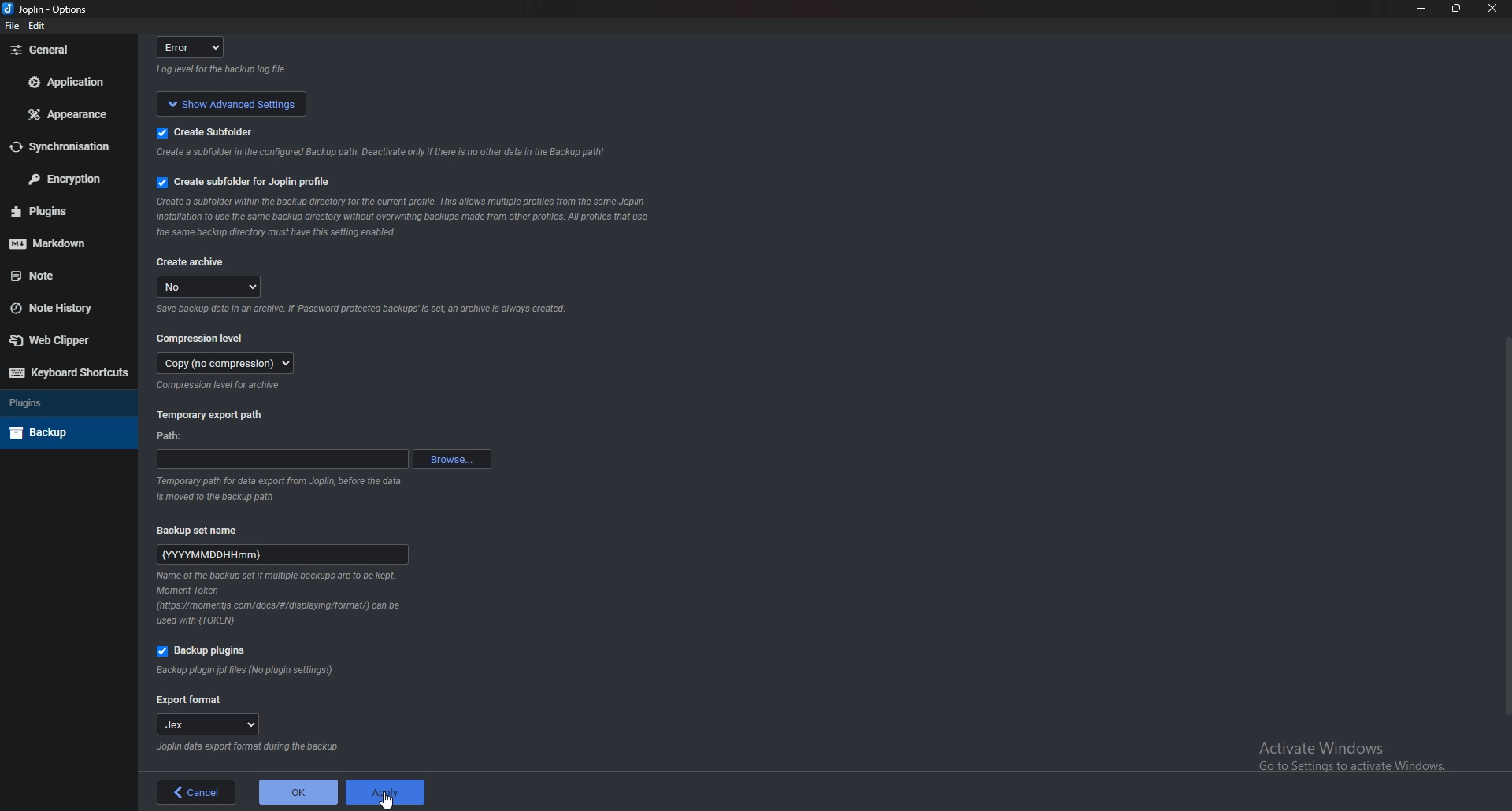  Describe the element at coordinates (190, 701) in the screenshot. I see `Export format` at that location.